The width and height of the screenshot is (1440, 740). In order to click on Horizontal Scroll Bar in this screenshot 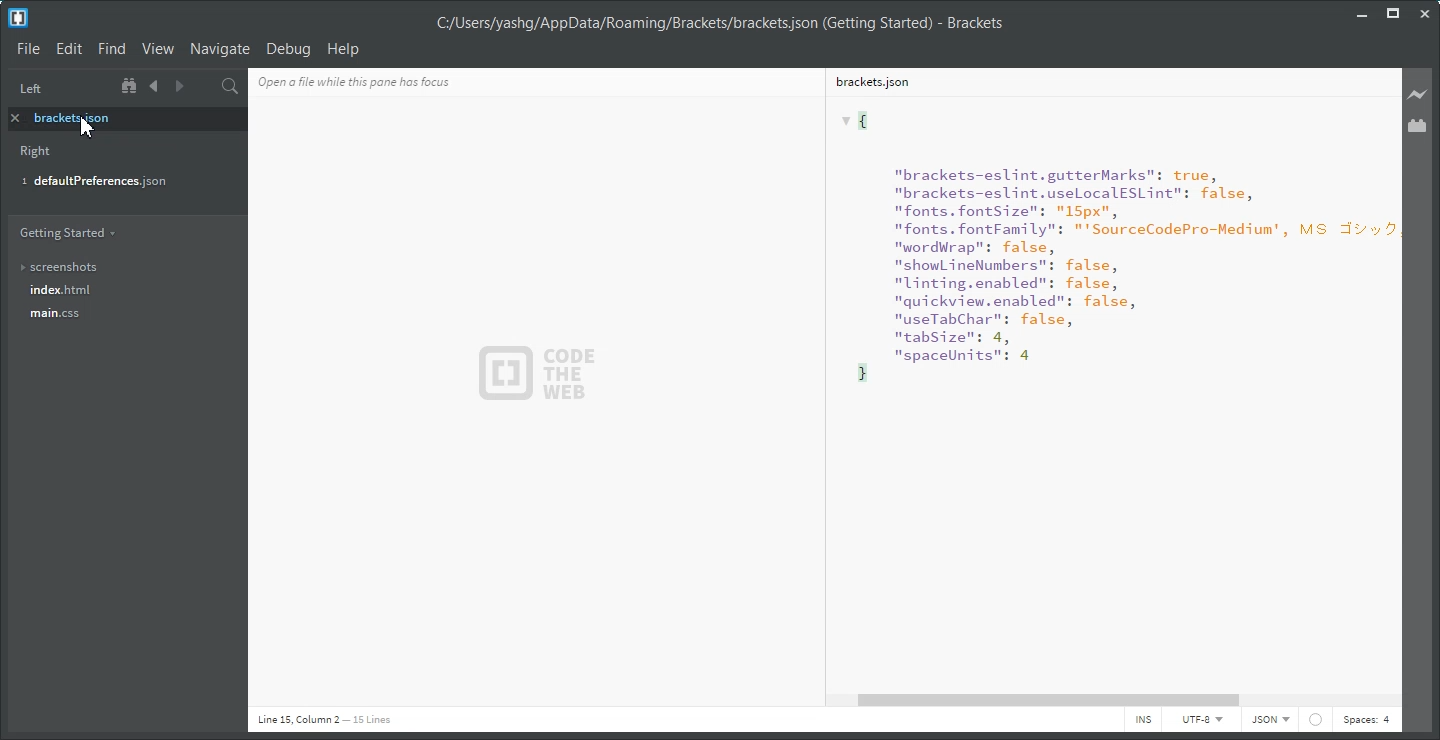, I will do `click(1119, 700)`.